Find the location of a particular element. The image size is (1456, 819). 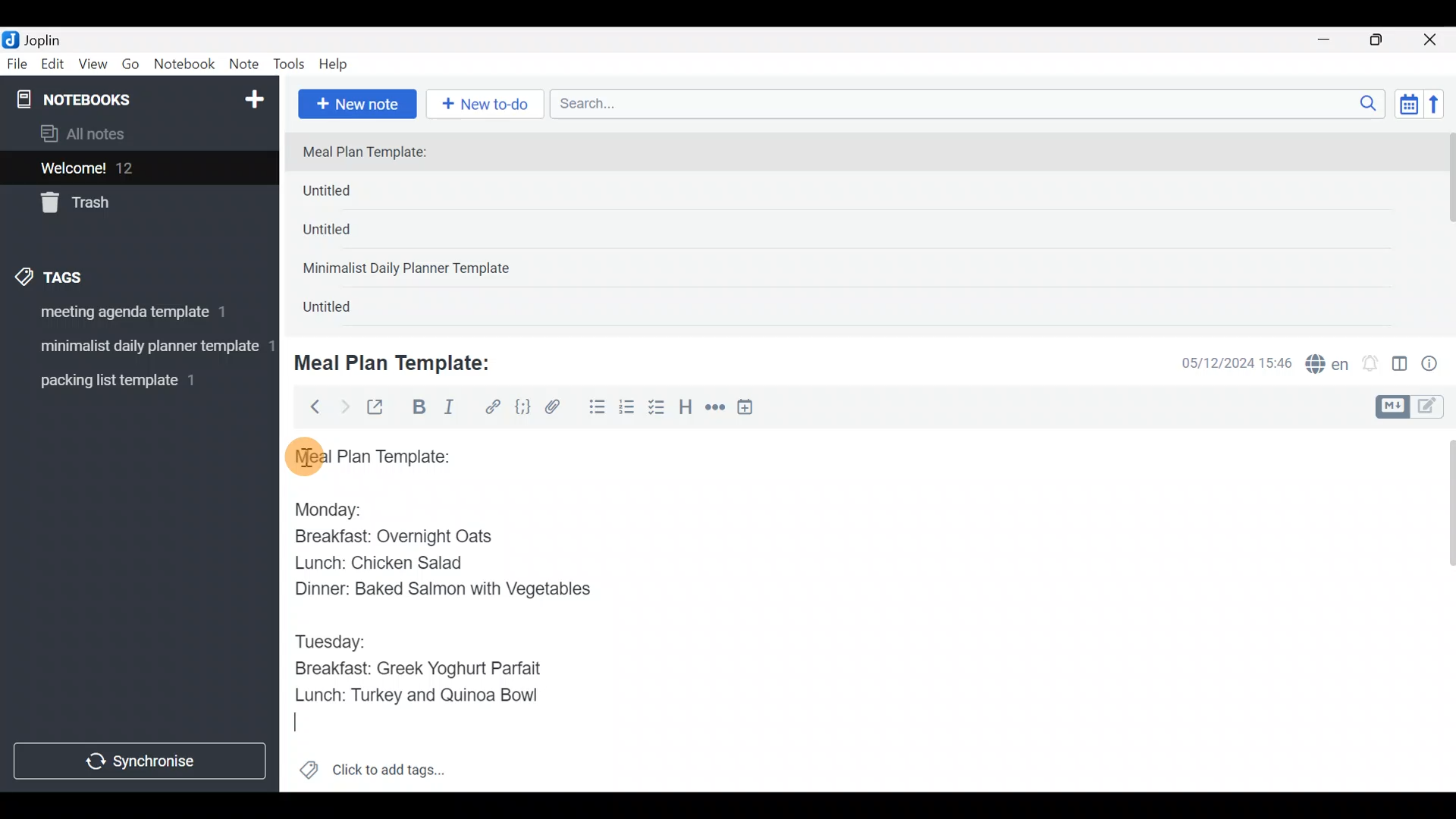

Insert time is located at coordinates (752, 409).